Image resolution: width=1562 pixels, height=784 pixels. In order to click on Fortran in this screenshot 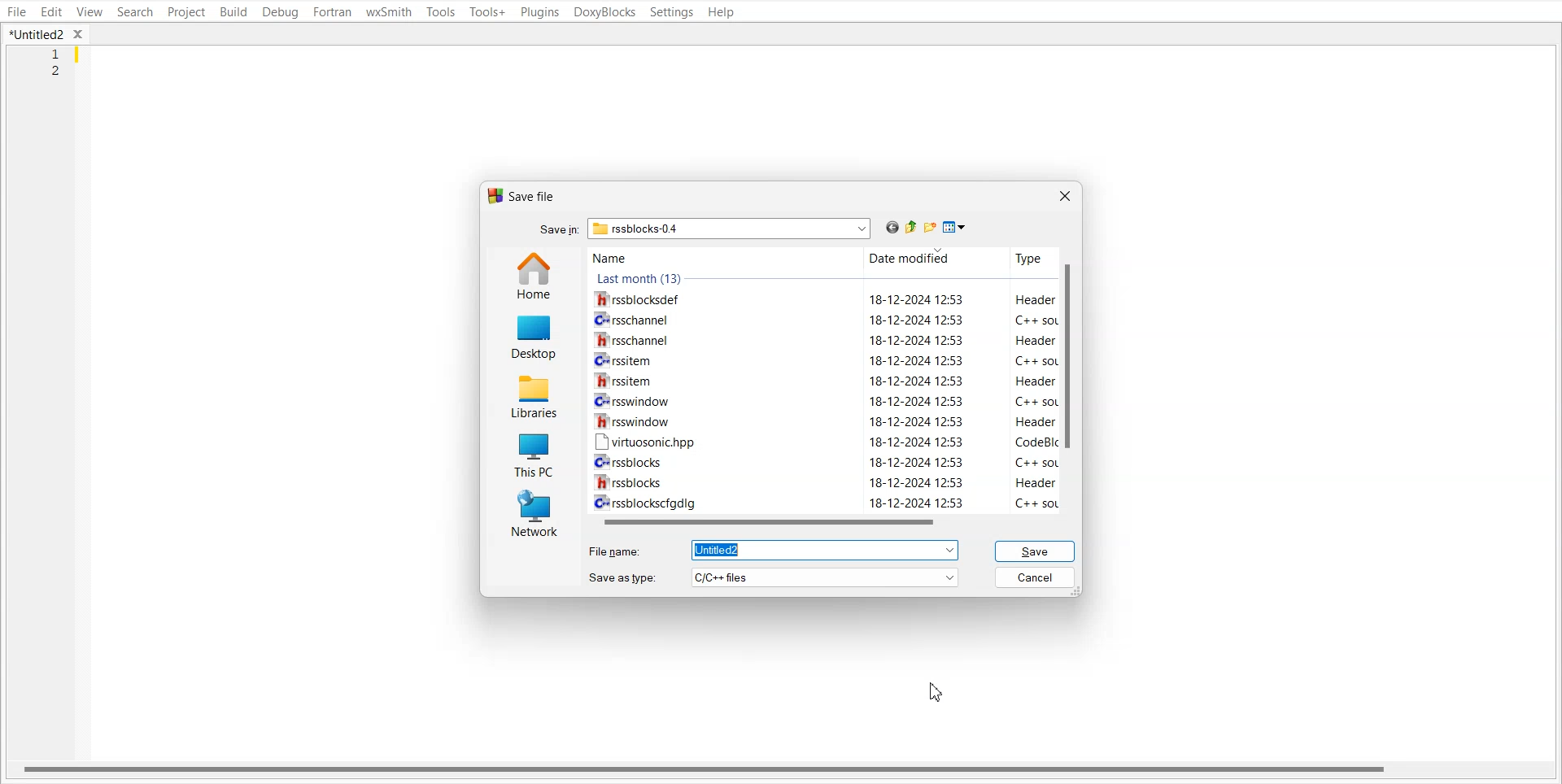, I will do `click(333, 11)`.